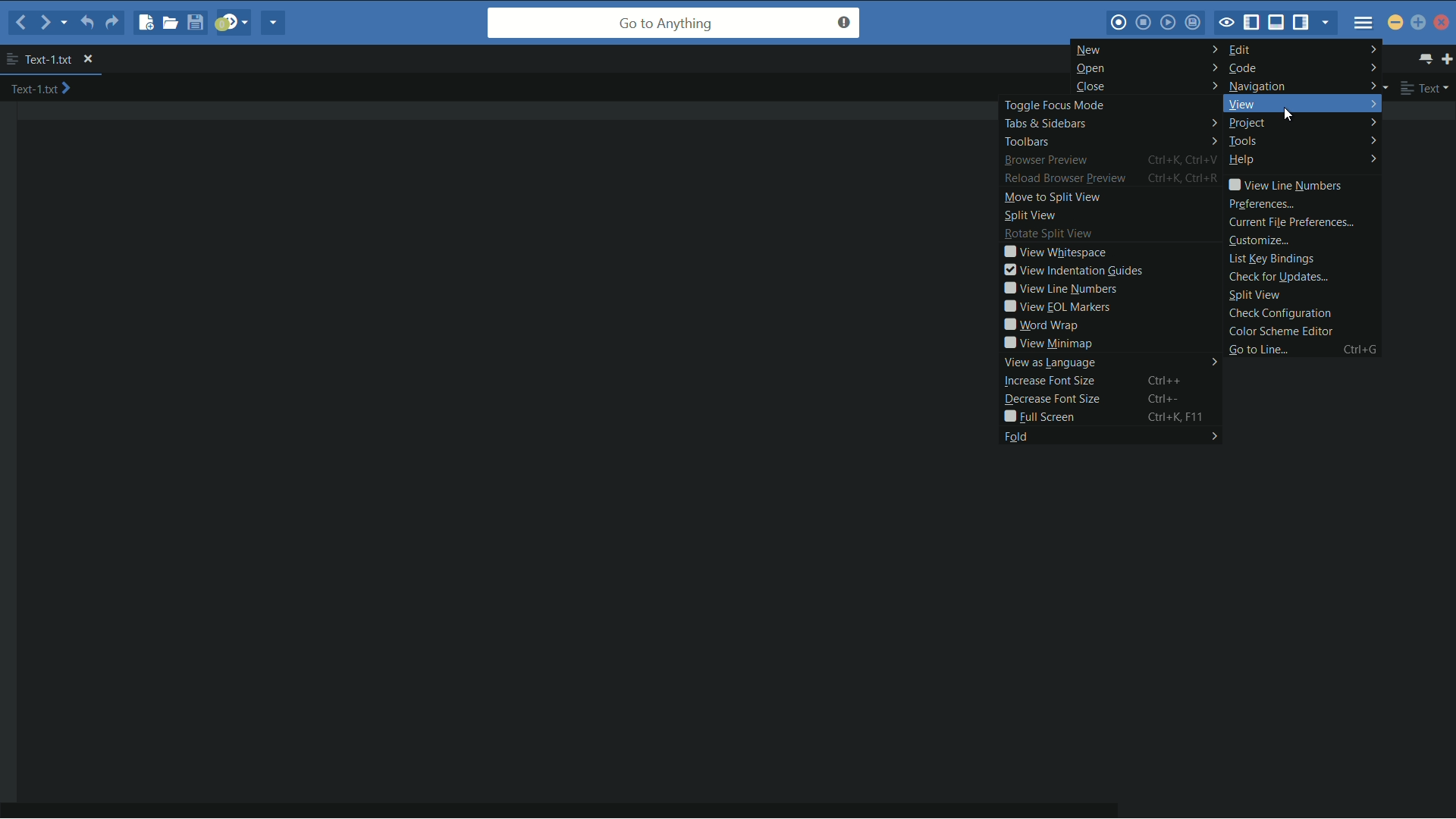 This screenshot has height=819, width=1456. I want to click on current file preferences, so click(1291, 222).